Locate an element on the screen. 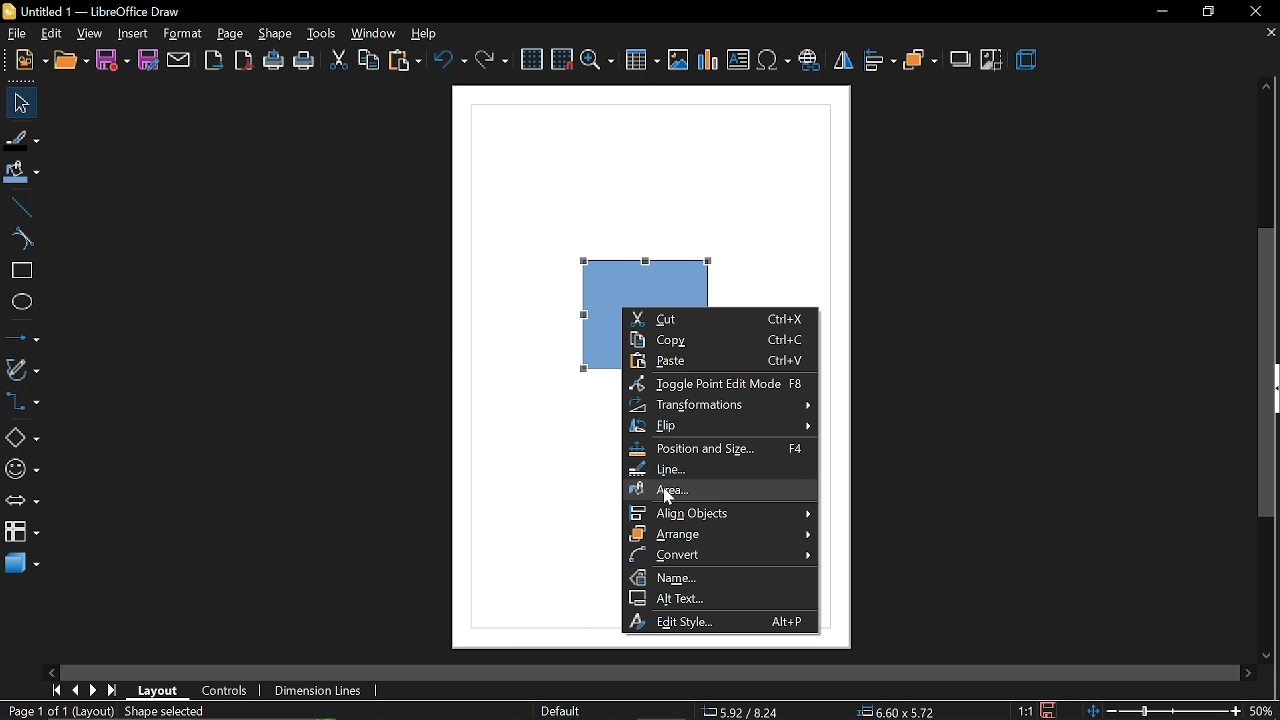 This screenshot has height=720, width=1280. page style is located at coordinates (559, 710).